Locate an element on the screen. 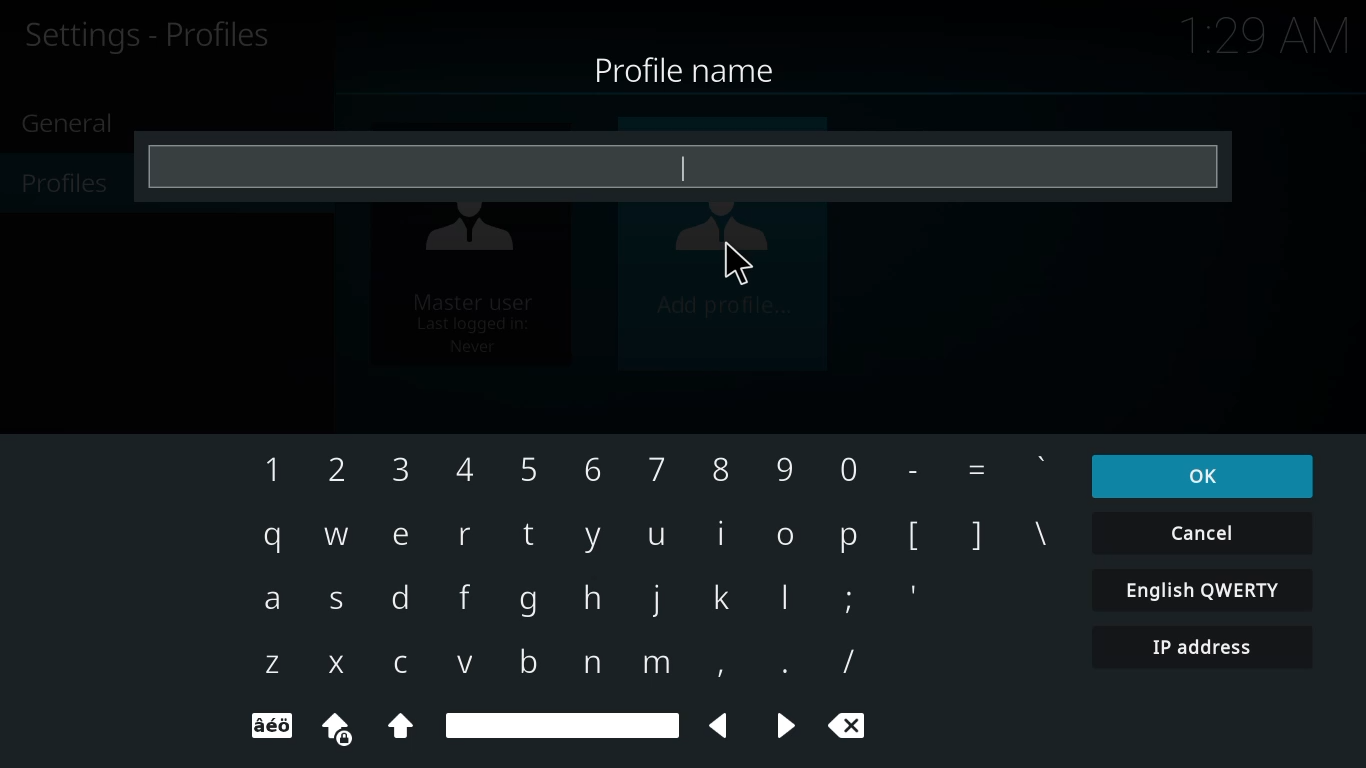  cursor is located at coordinates (737, 268).